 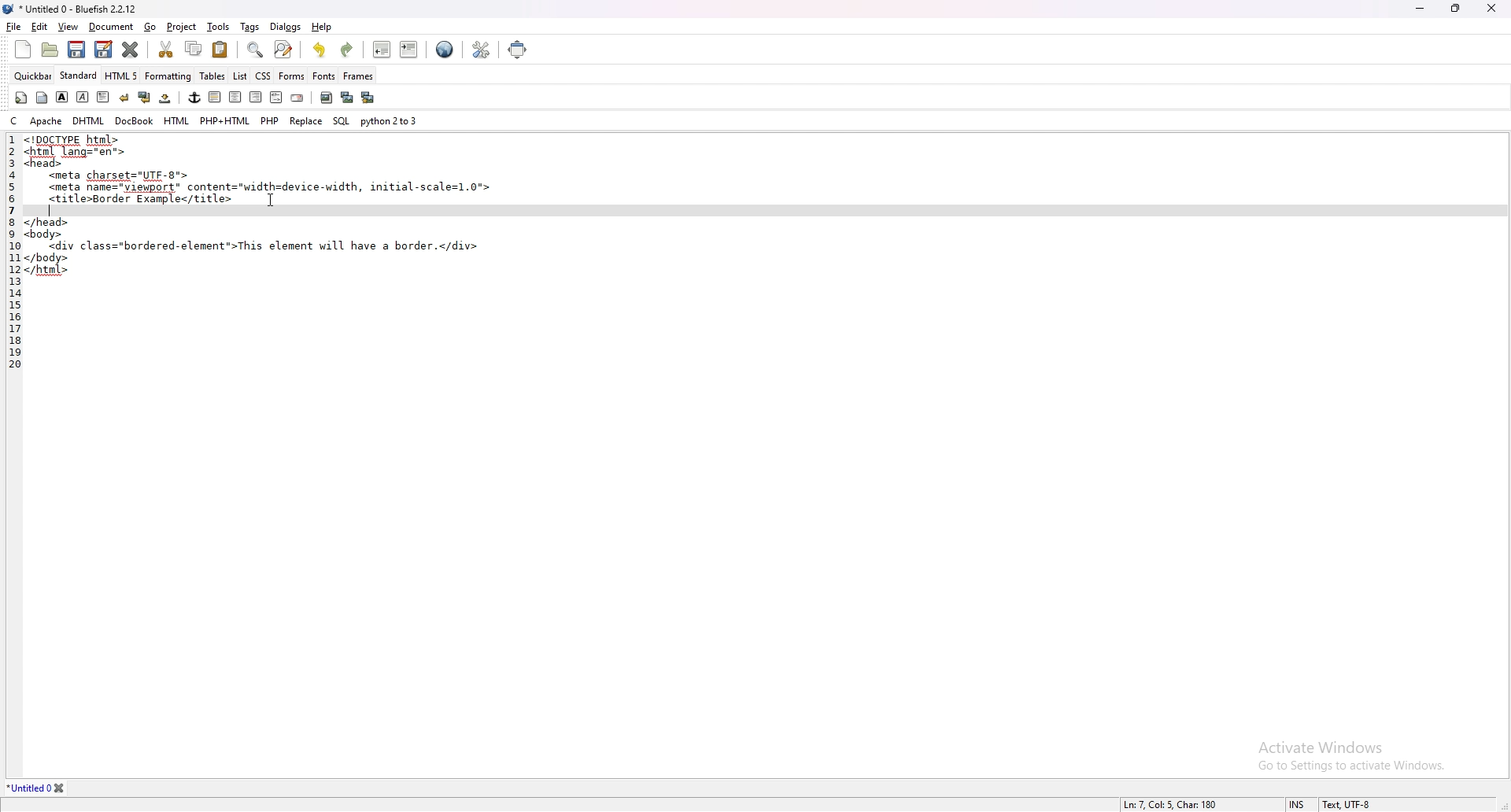 What do you see at coordinates (390, 120) in the screenshot?
I see `python 2 to 3` at bounding box center [390, 120].